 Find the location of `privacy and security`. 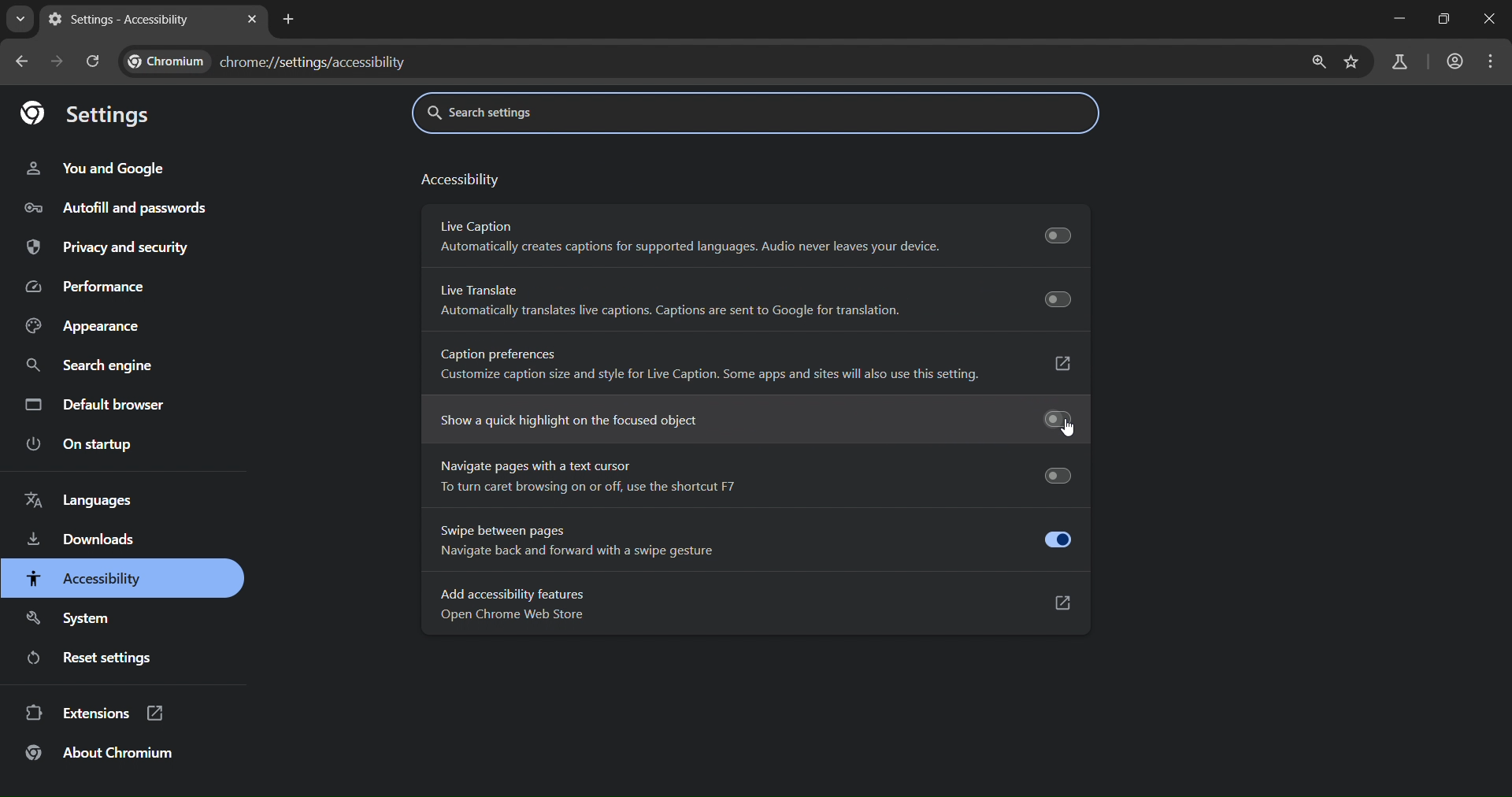

privacy and security is located at coordinates (106, 250).